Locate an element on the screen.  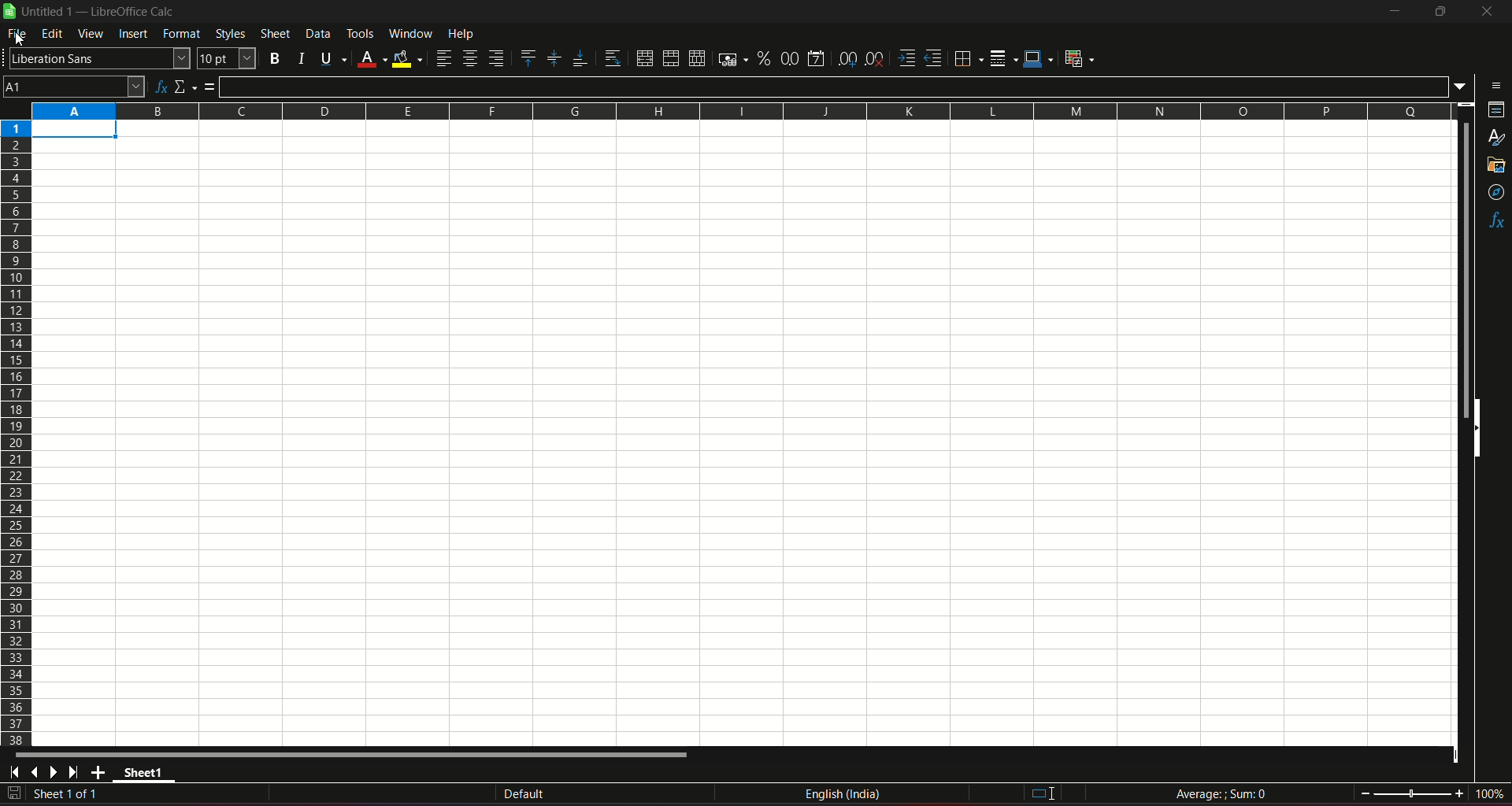
last sheet is located at coordinates (74, 772).